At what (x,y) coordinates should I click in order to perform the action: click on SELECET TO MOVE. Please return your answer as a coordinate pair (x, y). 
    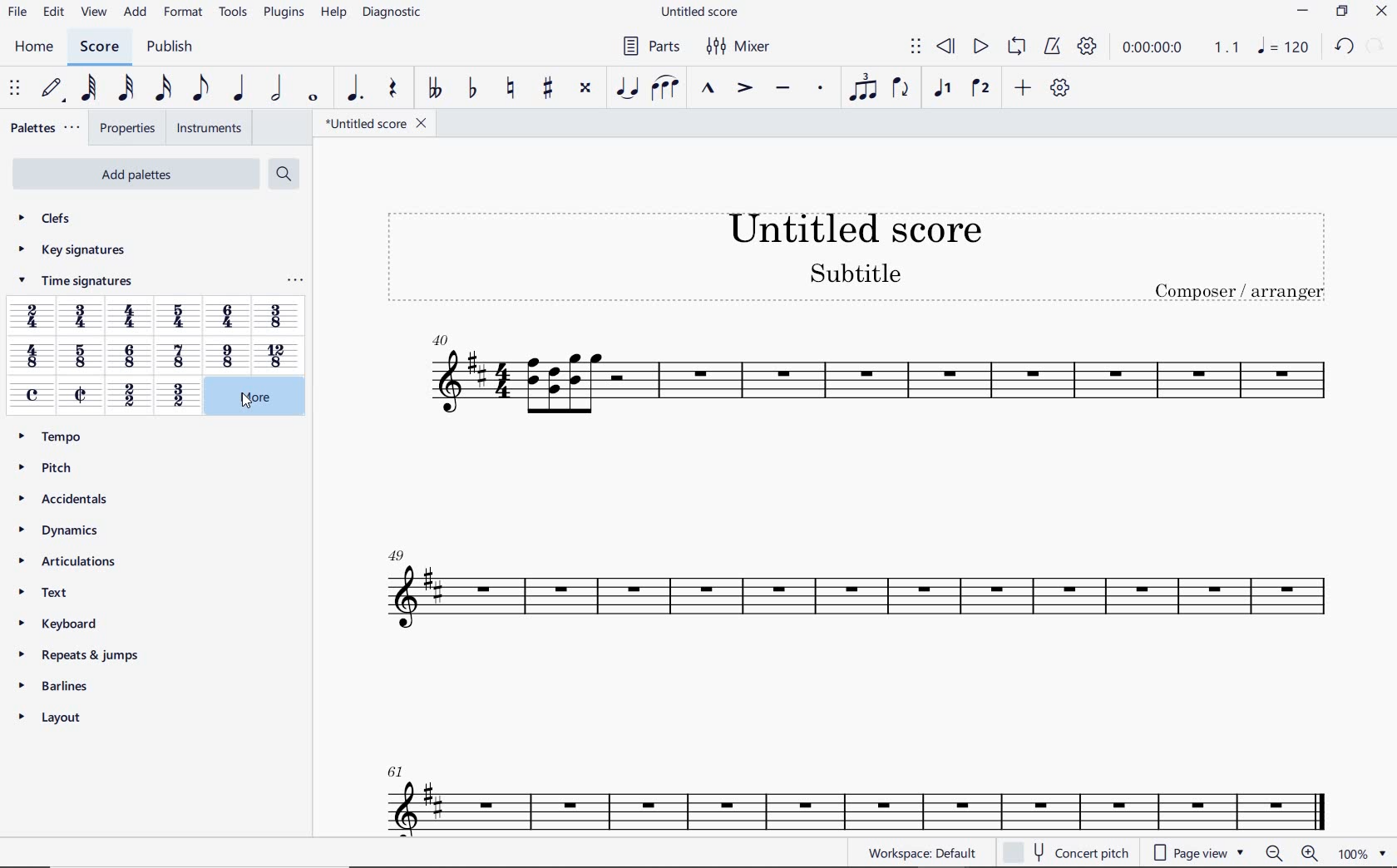
    Looking at the image, I should click on (17, 90).